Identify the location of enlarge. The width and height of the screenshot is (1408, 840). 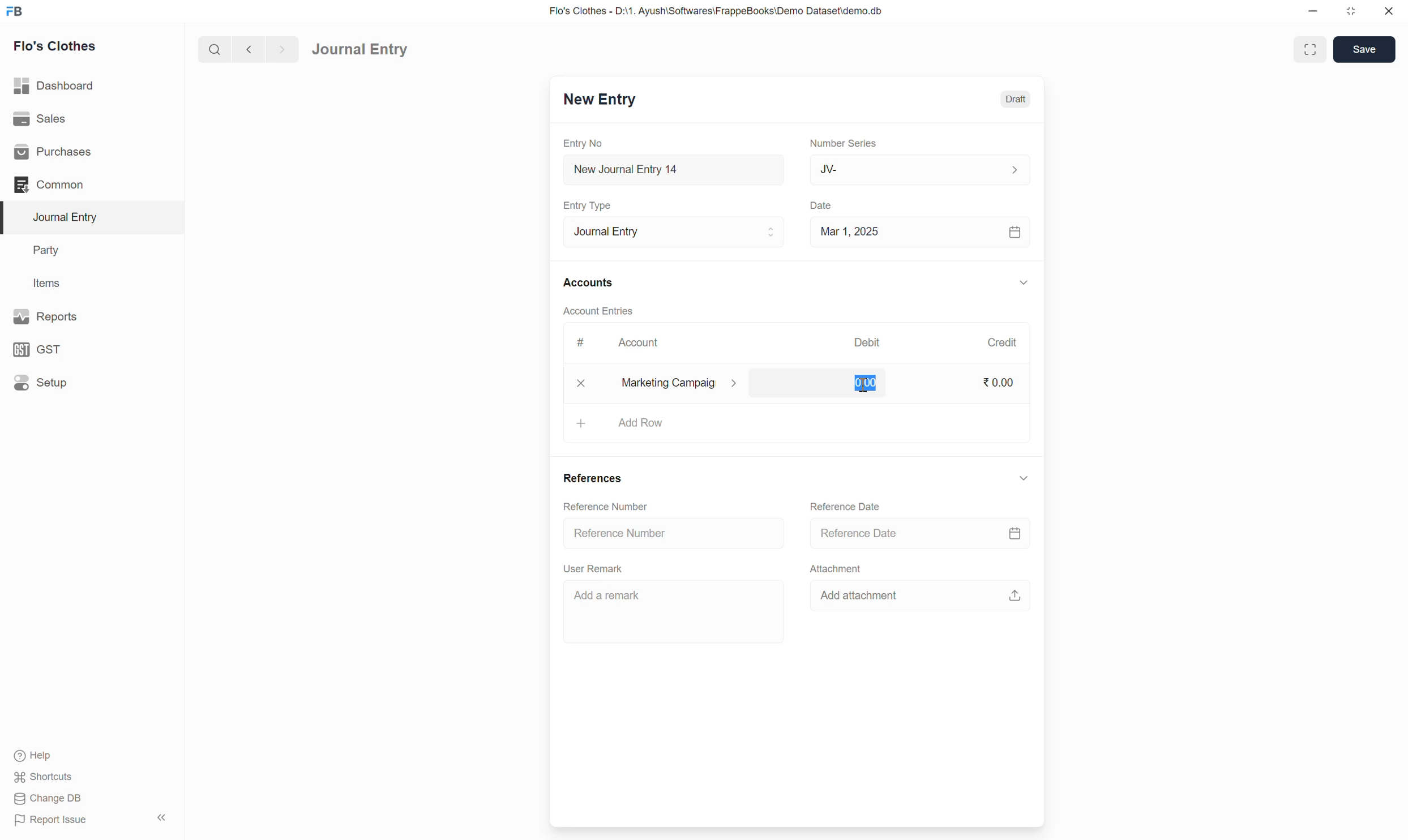
(1312, 48).